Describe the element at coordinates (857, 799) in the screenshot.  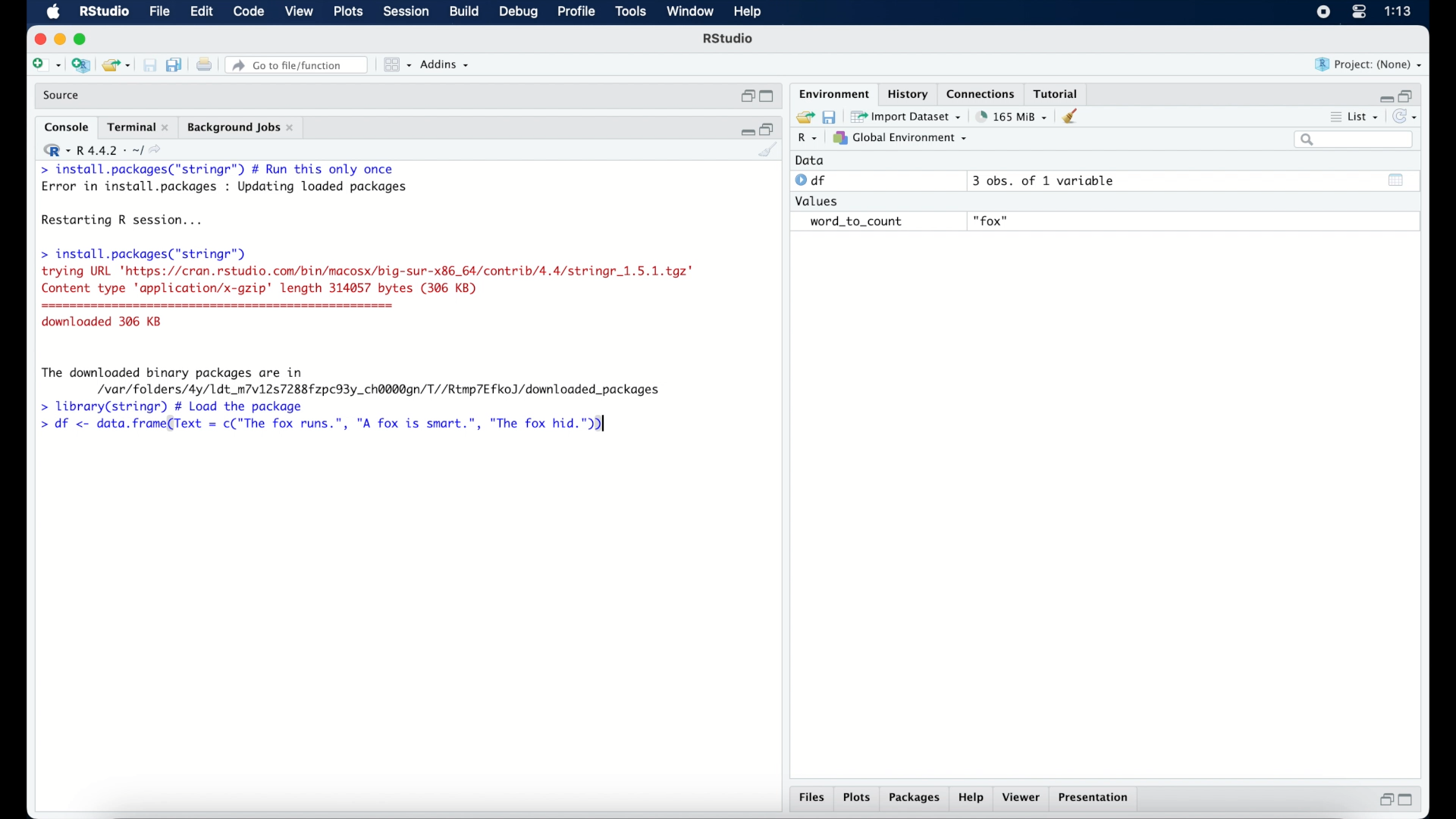
I see `plots` at that location.